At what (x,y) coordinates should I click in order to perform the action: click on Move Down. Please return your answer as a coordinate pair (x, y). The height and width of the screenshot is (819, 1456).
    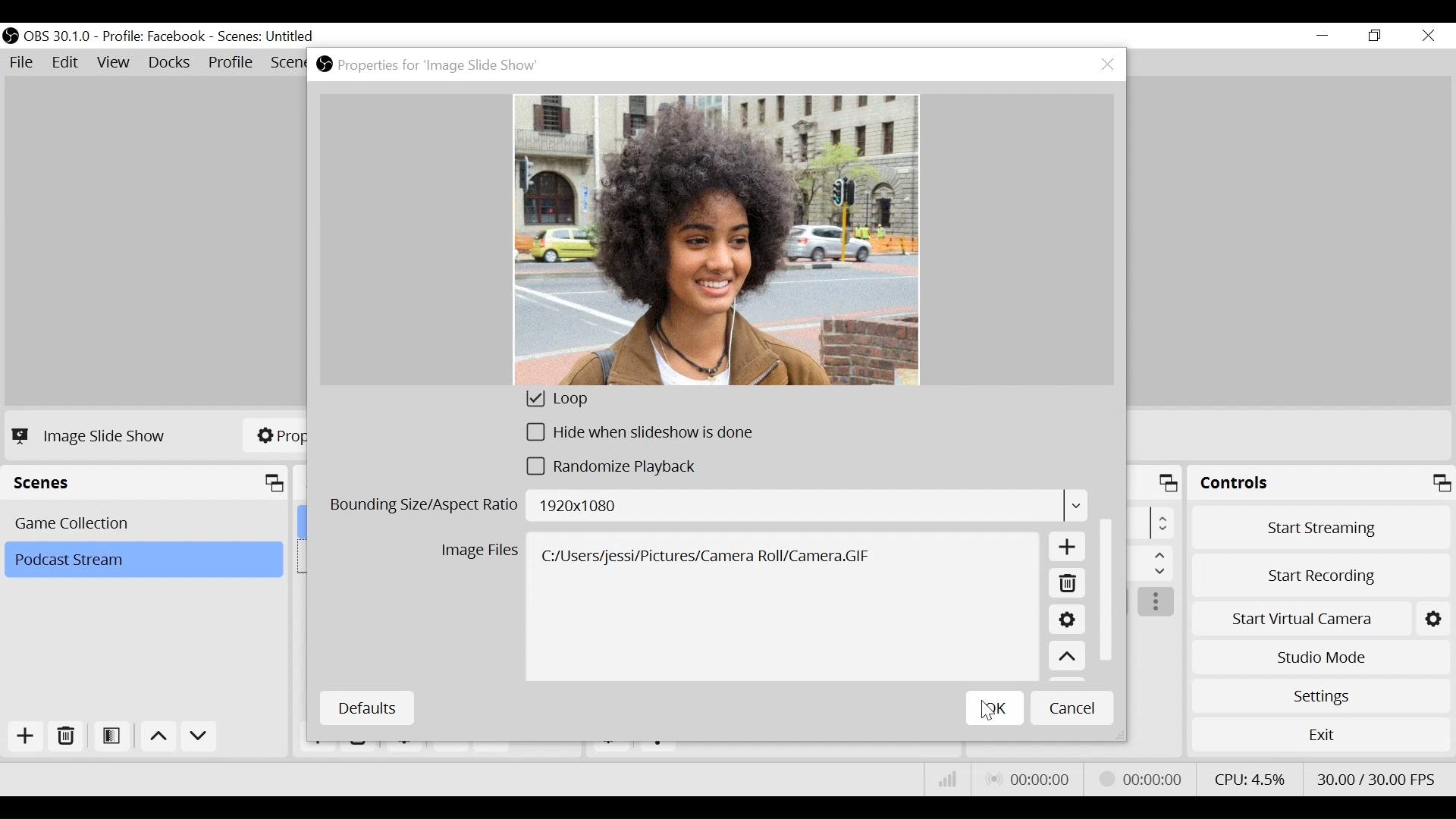
    Looking at the image, I should click on (199, 739).